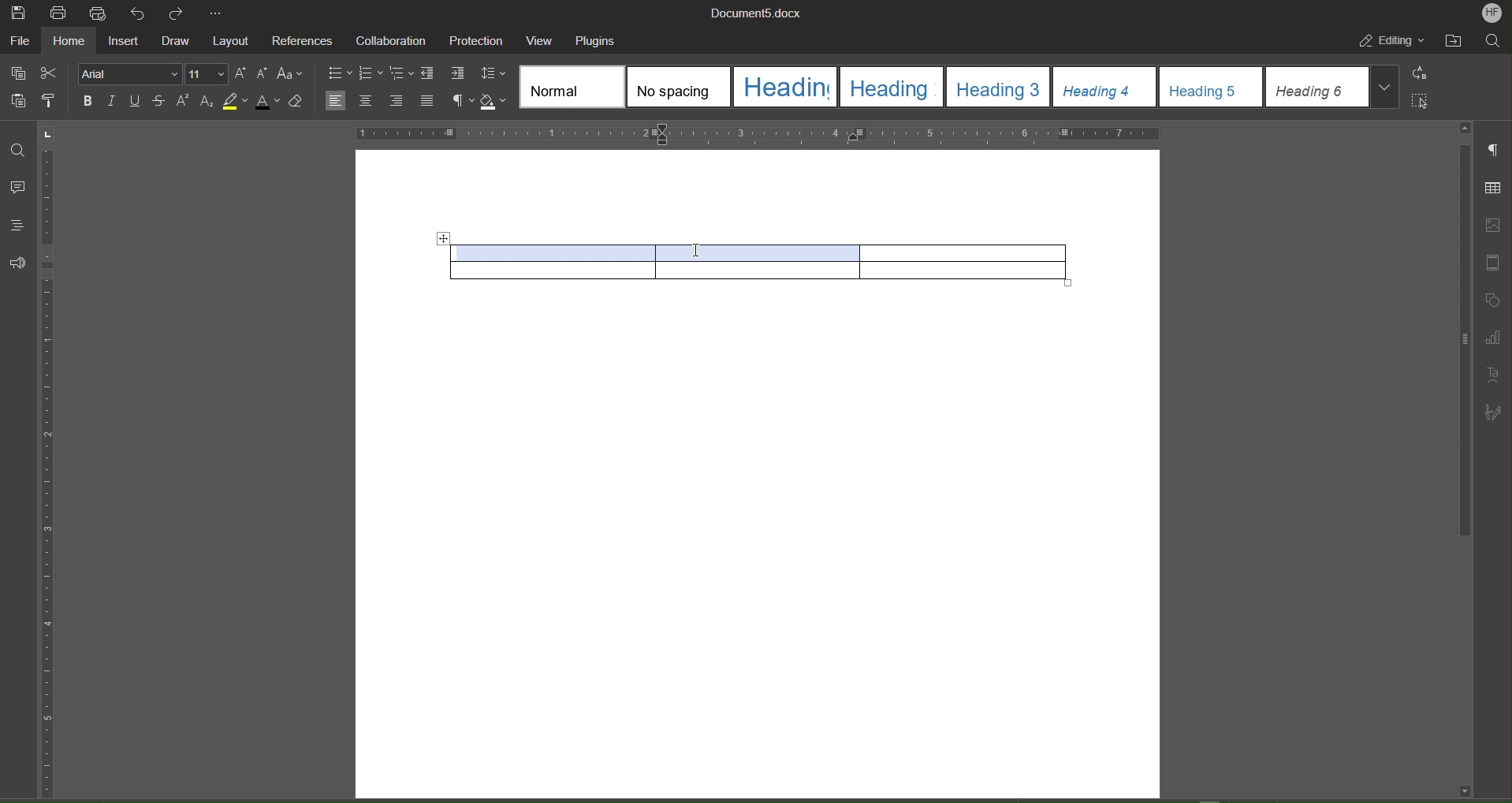 The width and height of the screenshot is (1512, 803). What do you see at coordinates (663, 250) in the screenshot?
I see `Selected Cells` at bounding box center [663, 250].